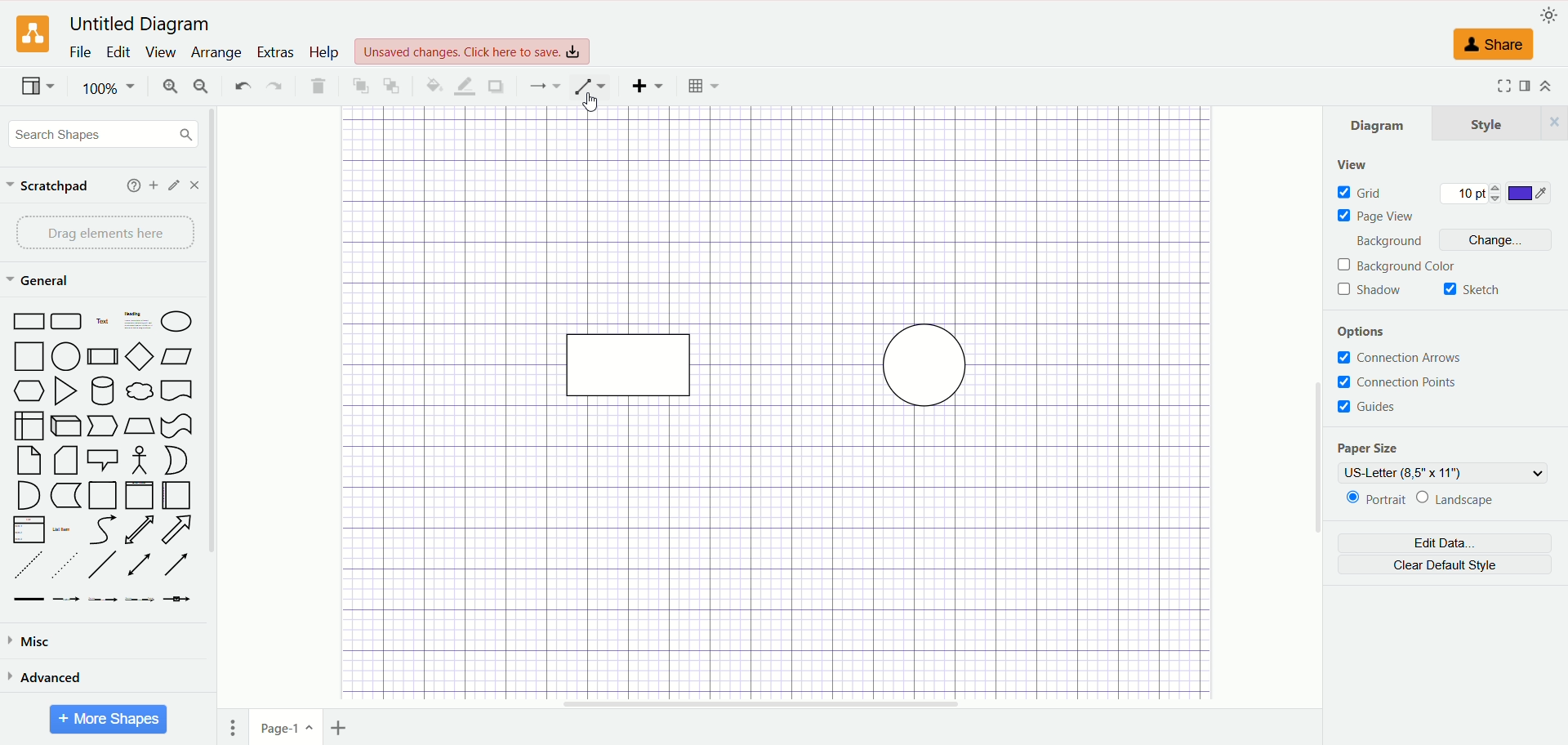 This screenshot has width=1568, height=745. Describe the element at coordinates (177, 497) in the screenshot. I see `Horizontal Page` at that location.